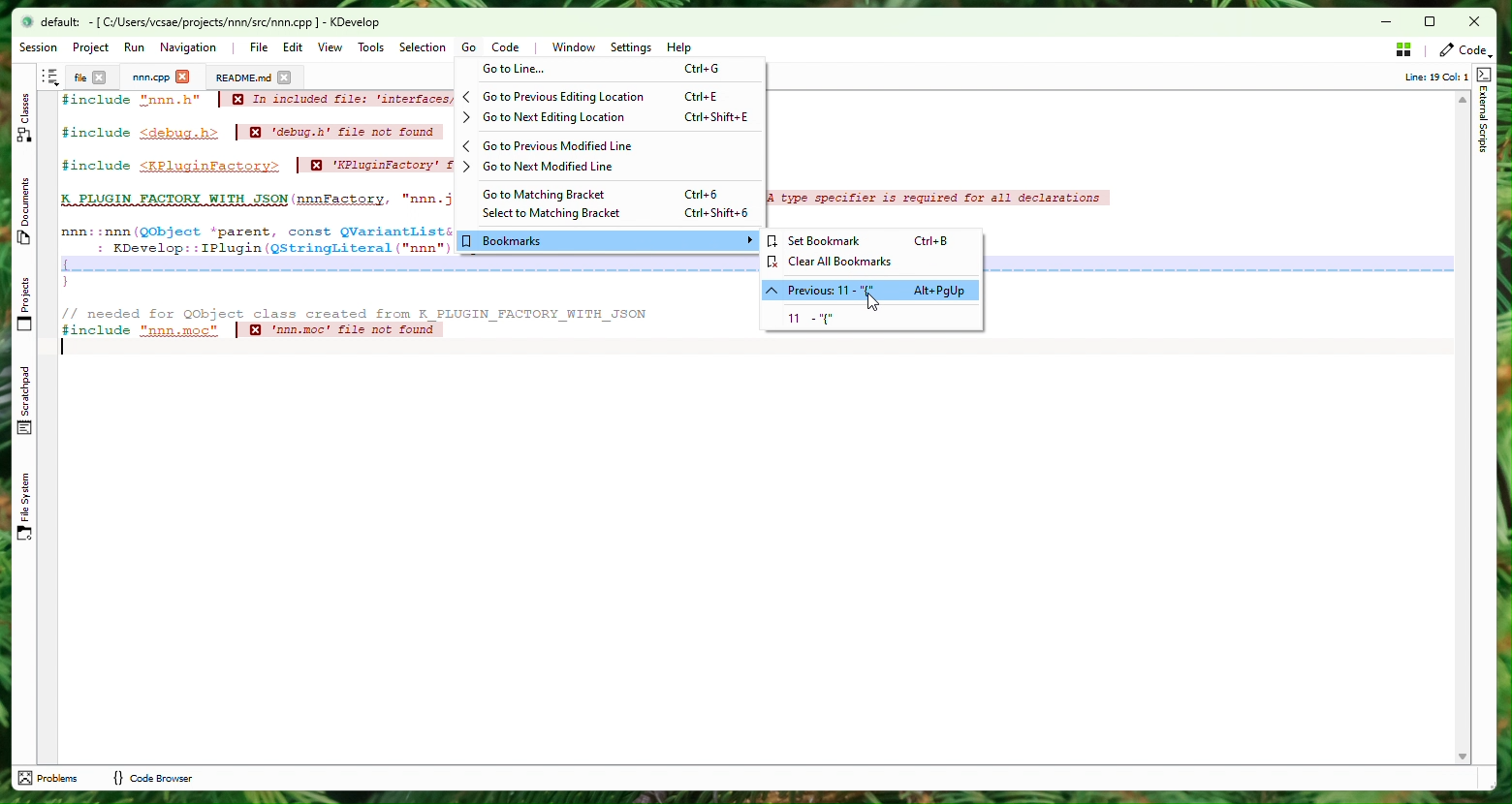  What do you see at coordinates (1436, 21) in the screenshot?
I see `Box` at bounding box center [1436, 21].